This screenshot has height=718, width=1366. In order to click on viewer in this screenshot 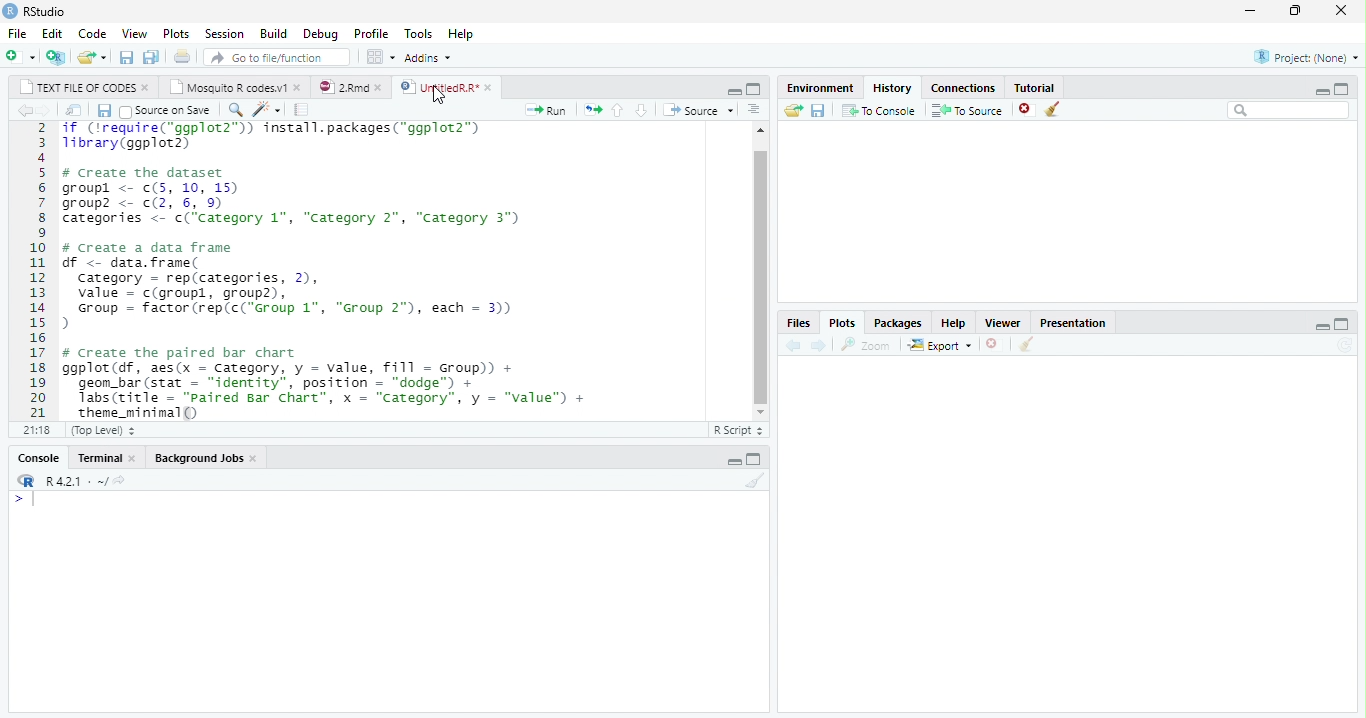, I will do `click(1003, 322)`.